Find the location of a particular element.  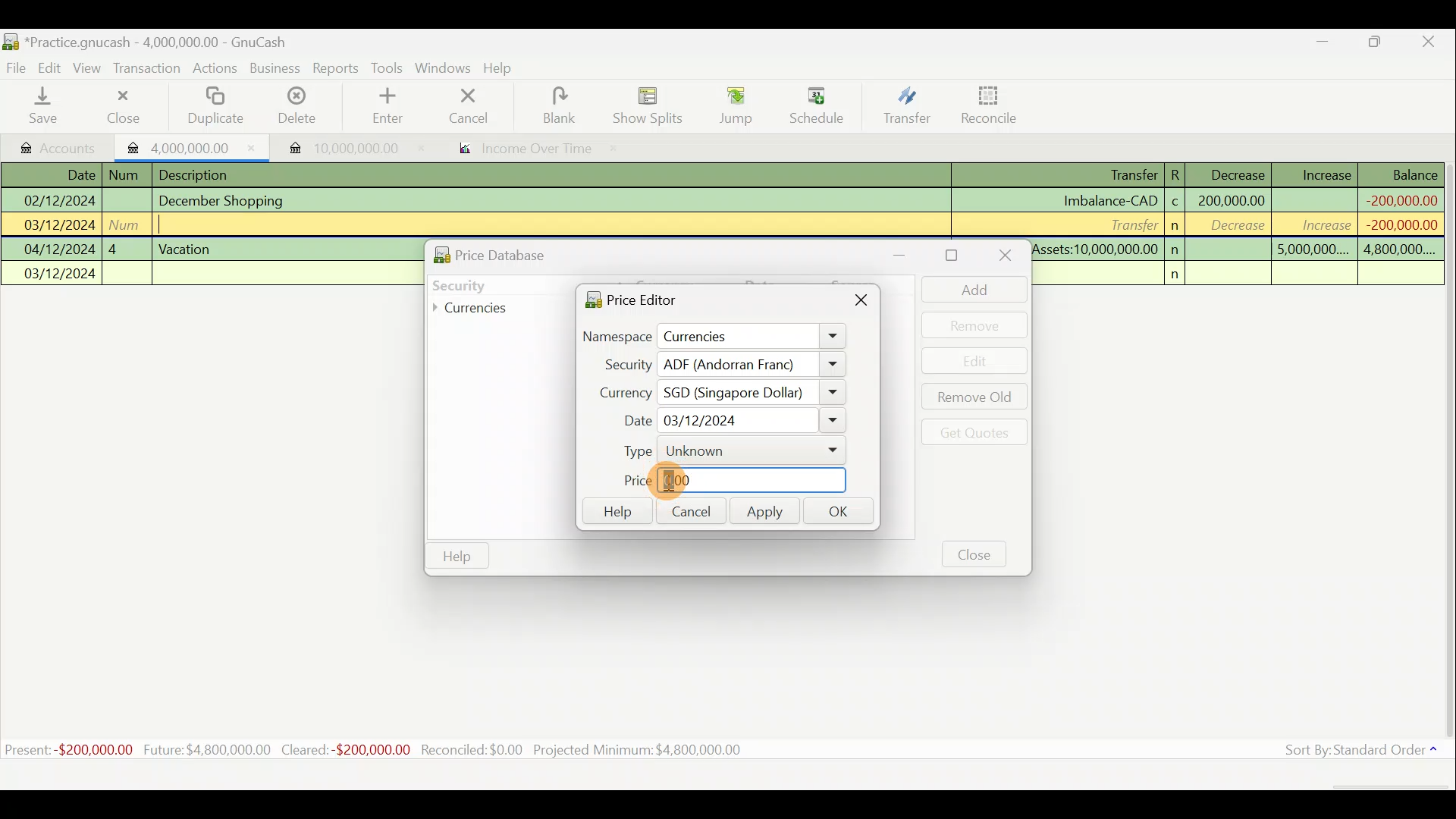

Add is located at coordinates (967, 289).